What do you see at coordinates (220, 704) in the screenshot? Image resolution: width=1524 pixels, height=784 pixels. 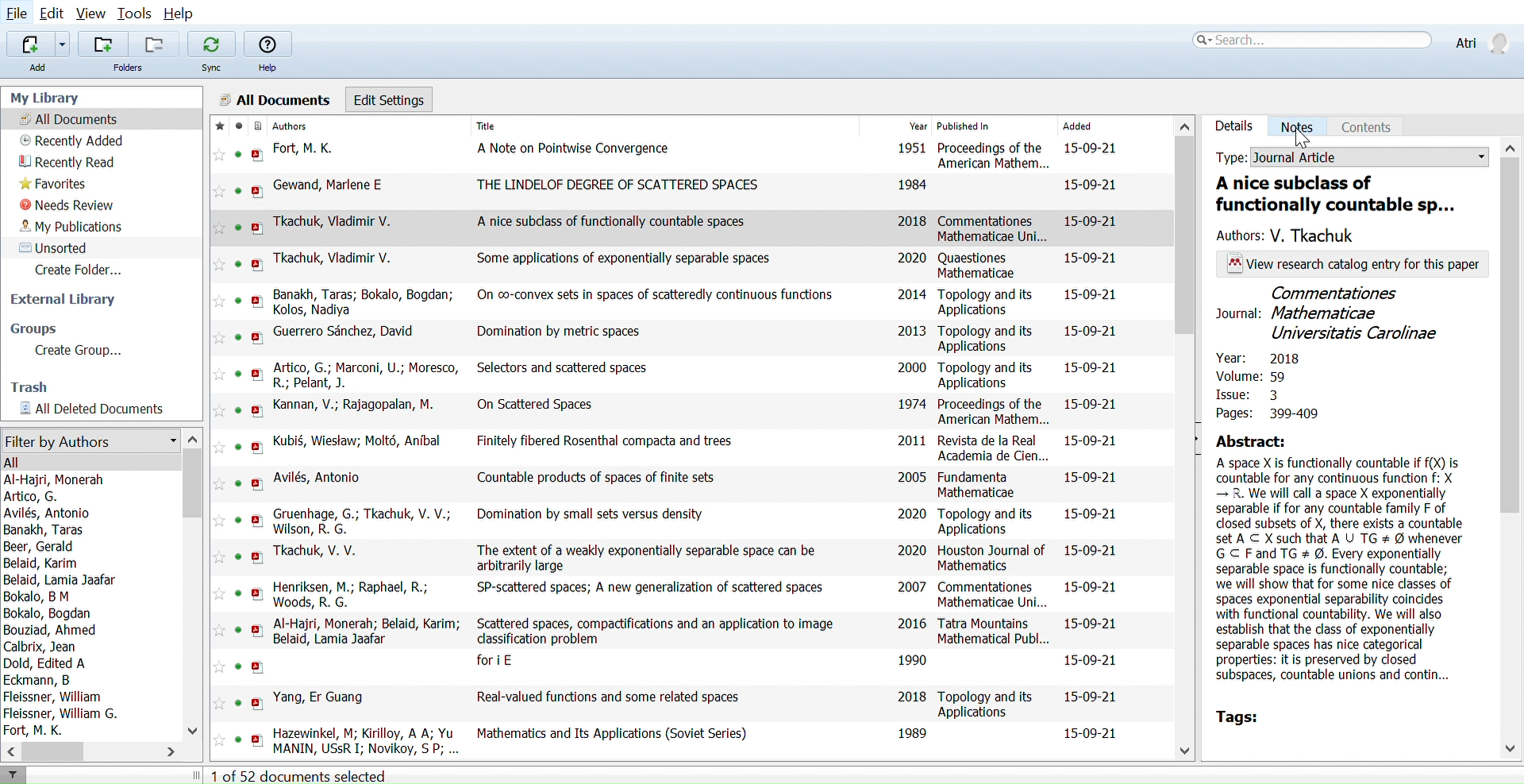 I see `Add this reference to favorites` at bounding box center [220, 704].